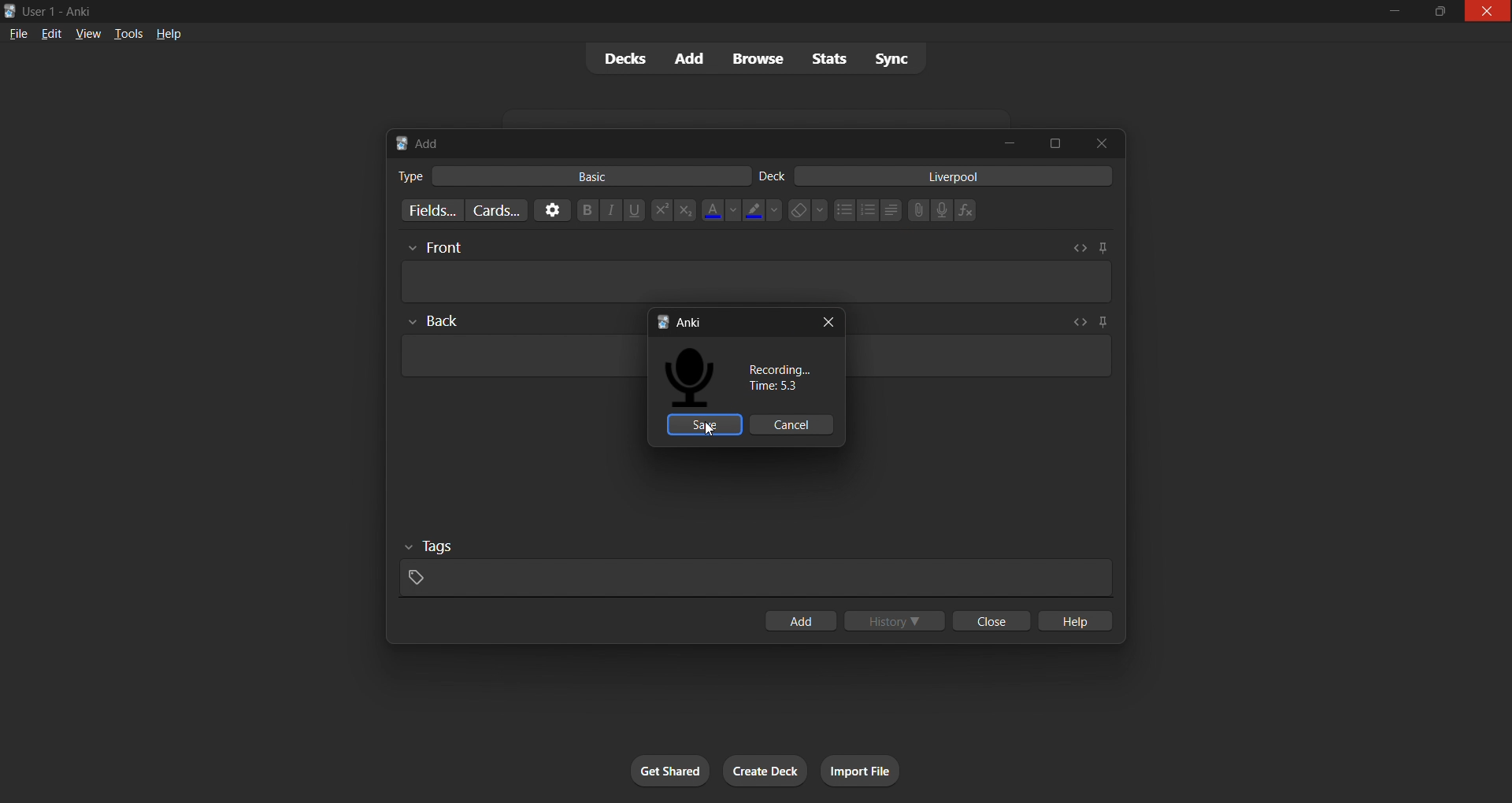  What do you see at coordinates (1487, 13) in the screenshot?
I see `close` at bounding box center [1487, 13].